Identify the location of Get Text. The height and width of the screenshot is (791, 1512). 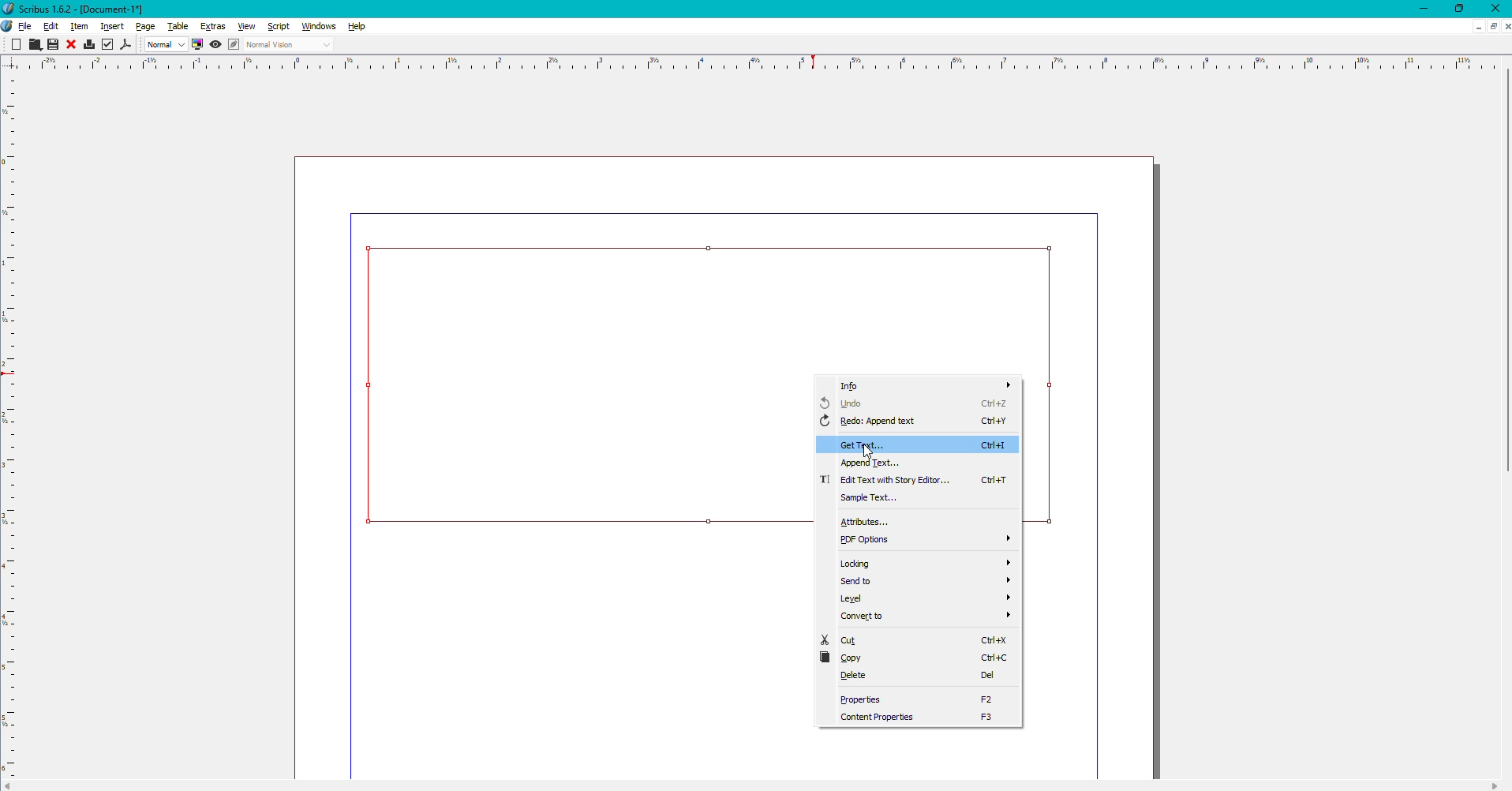
(914, 444).